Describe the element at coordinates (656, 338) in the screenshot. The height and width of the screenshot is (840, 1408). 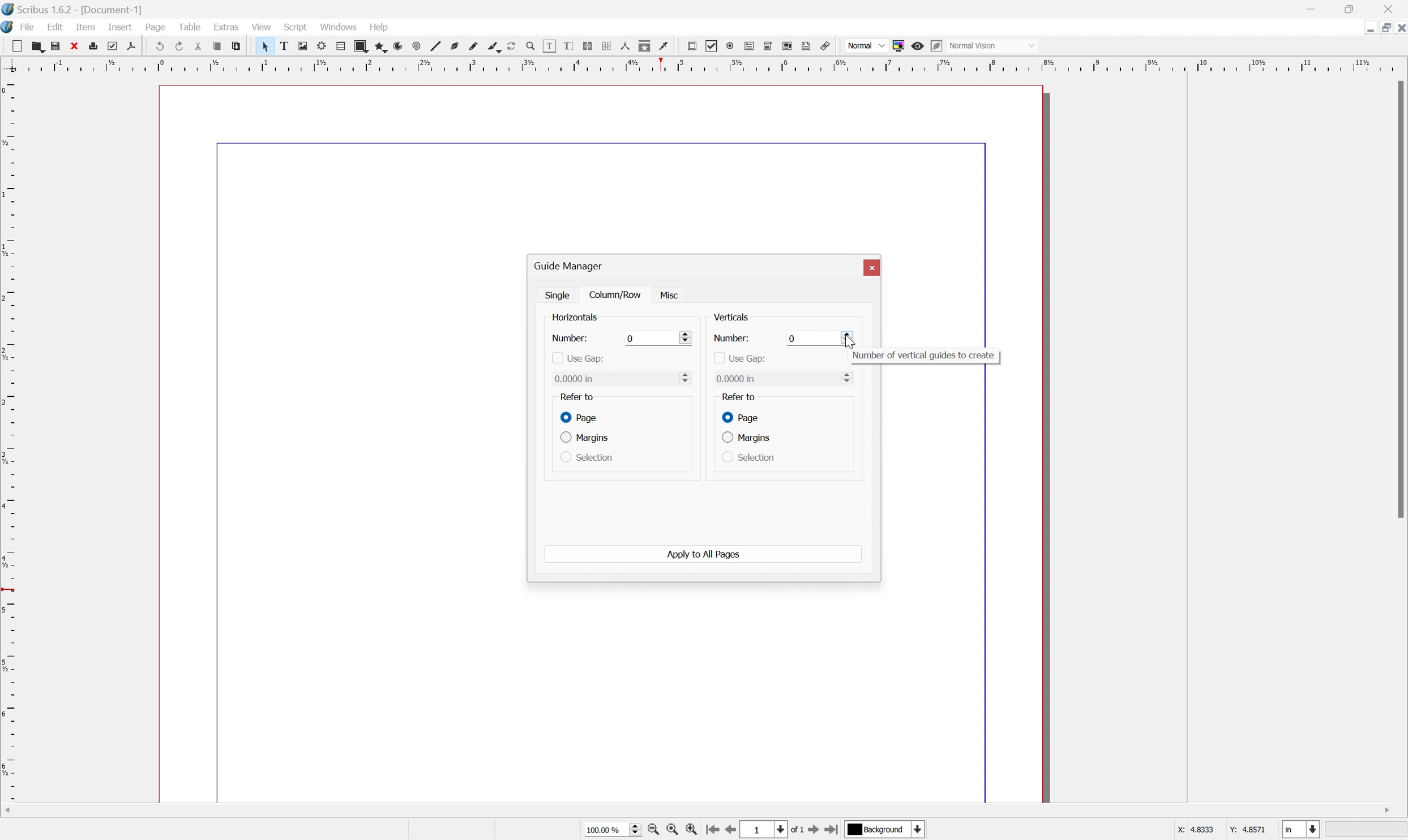
I see `0` at that location.